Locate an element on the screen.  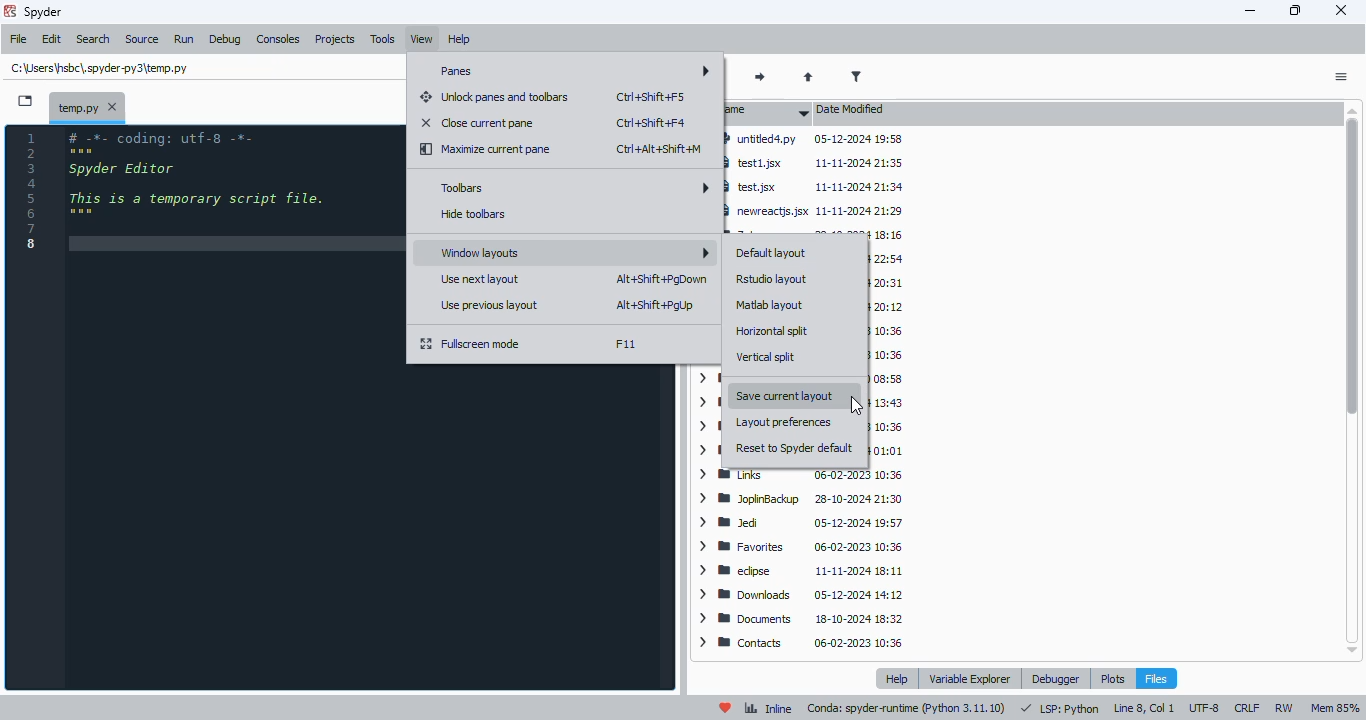
tools is located at coordinates (383, 39).